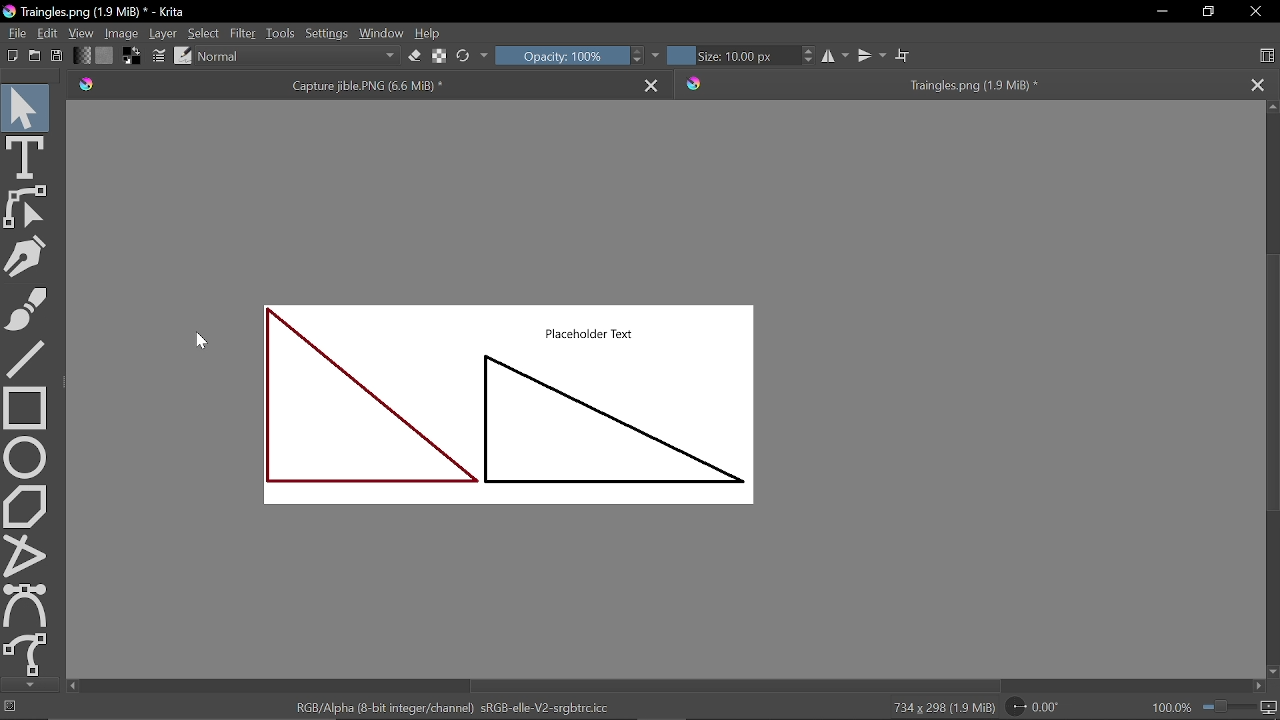  Describe the element at coordinates (458, 707) in the screenshot. I see `'RGB/Alpha (8-bit integer/channel) sRGB-elle-V2-srgbtrc.icc` at that location.